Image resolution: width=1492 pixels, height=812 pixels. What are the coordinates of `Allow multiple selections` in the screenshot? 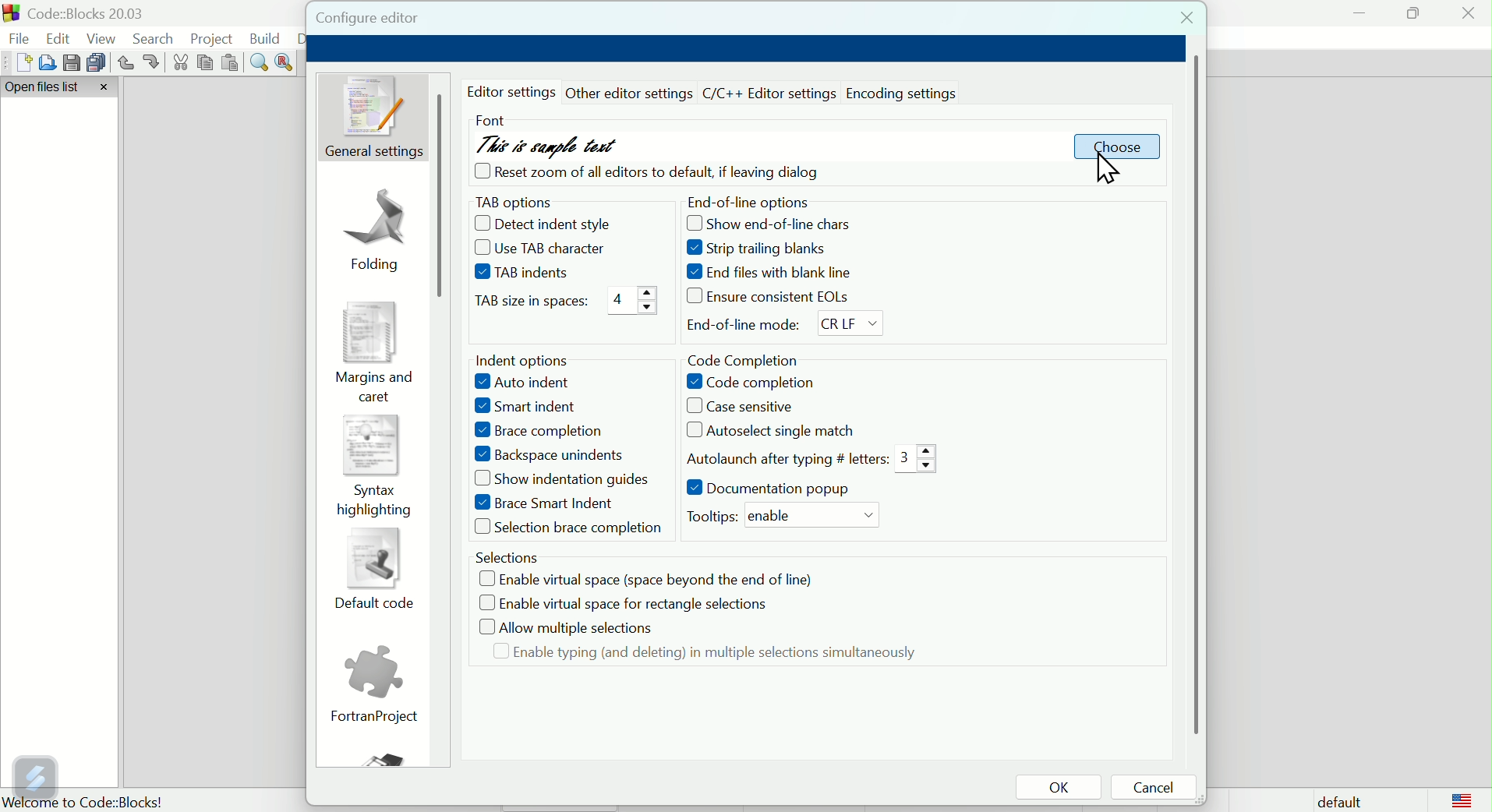 It's located at (567, 627).